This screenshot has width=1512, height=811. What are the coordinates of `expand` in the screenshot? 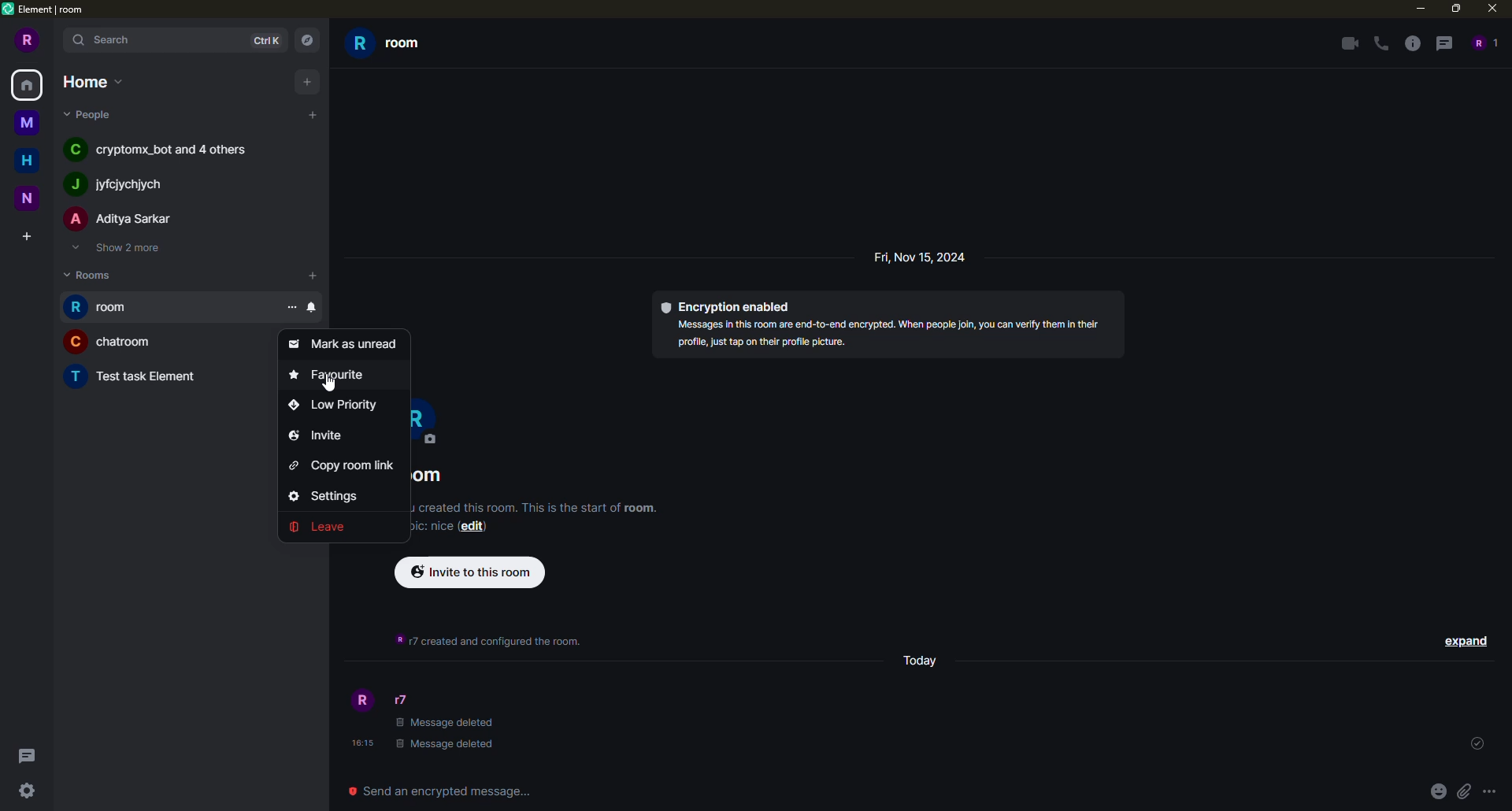 It's located at (1463, 640).